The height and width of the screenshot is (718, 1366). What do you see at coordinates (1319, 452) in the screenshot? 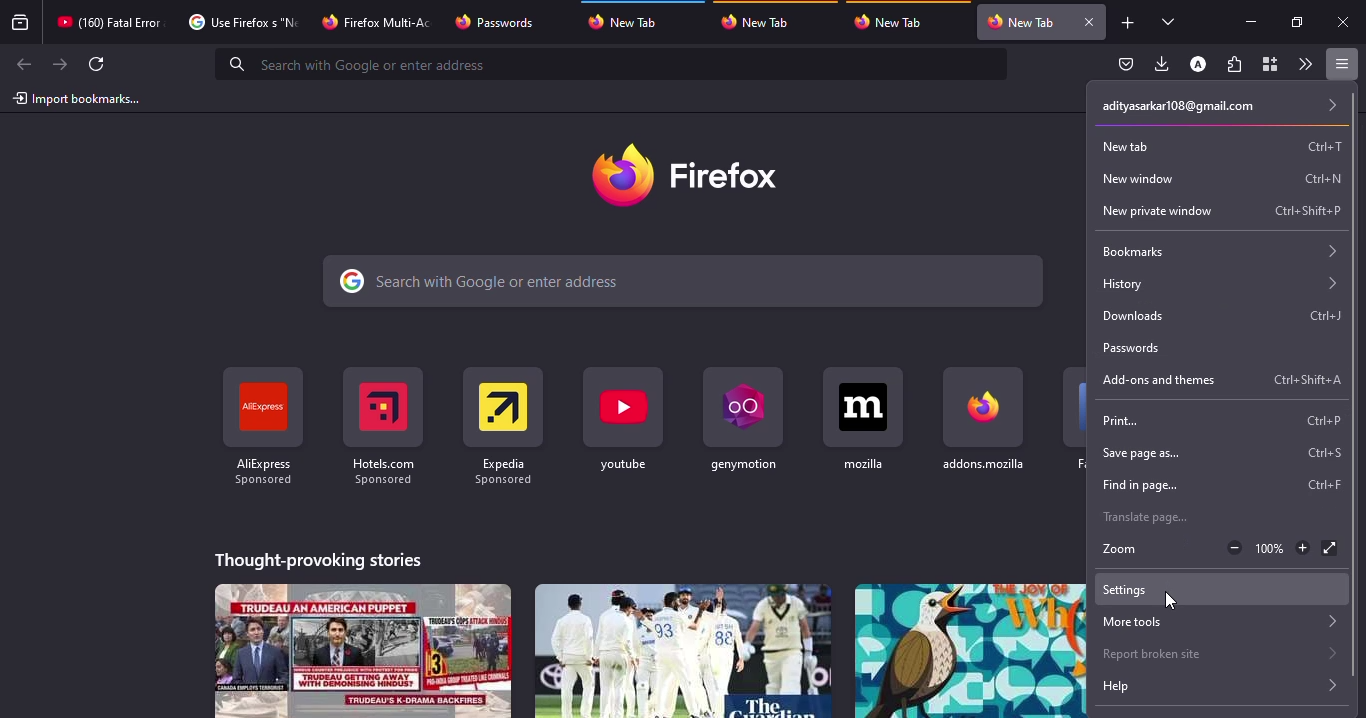
I see `shortcut` at bounding box center [1319, 452].